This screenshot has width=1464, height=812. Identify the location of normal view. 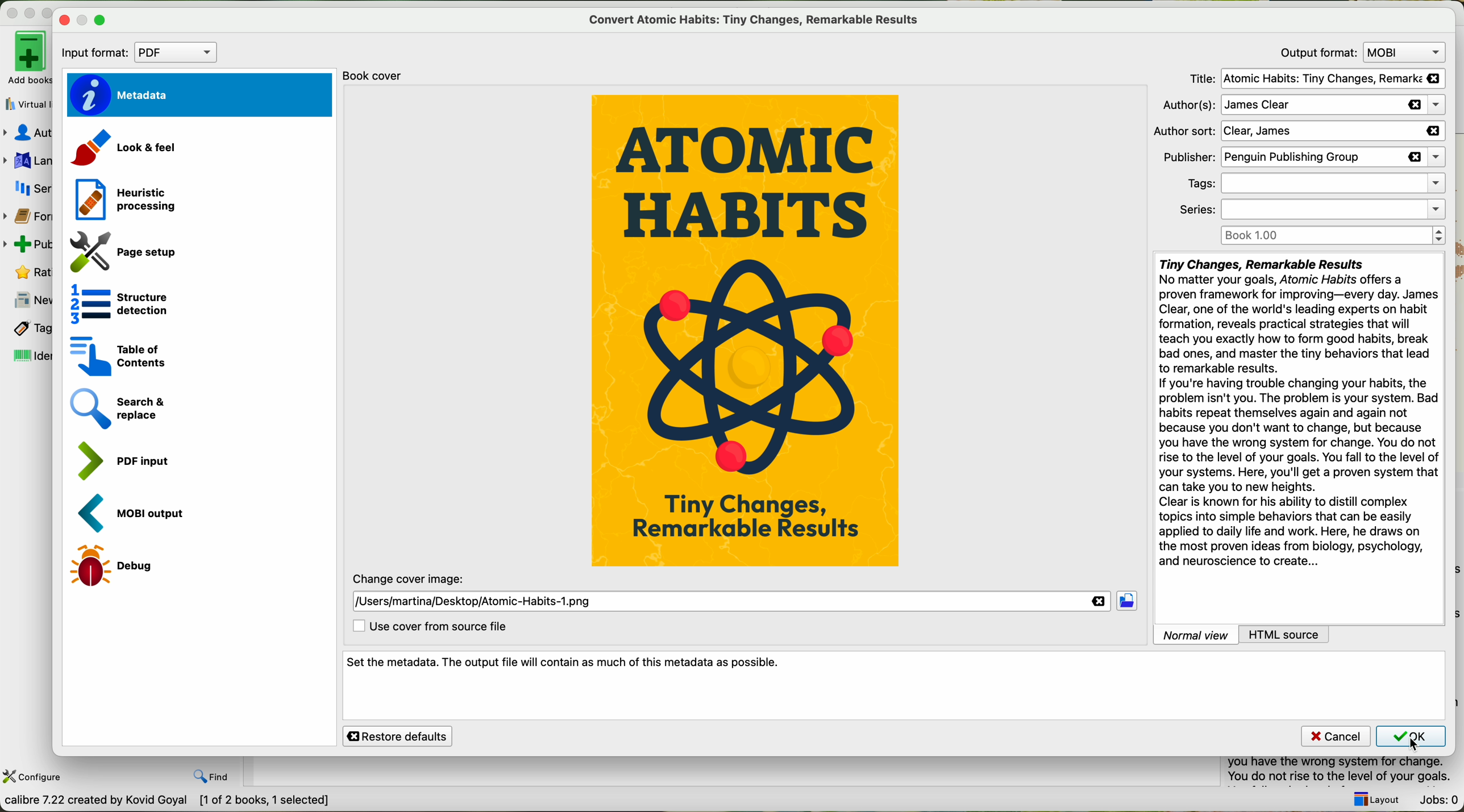
(1191, 634).